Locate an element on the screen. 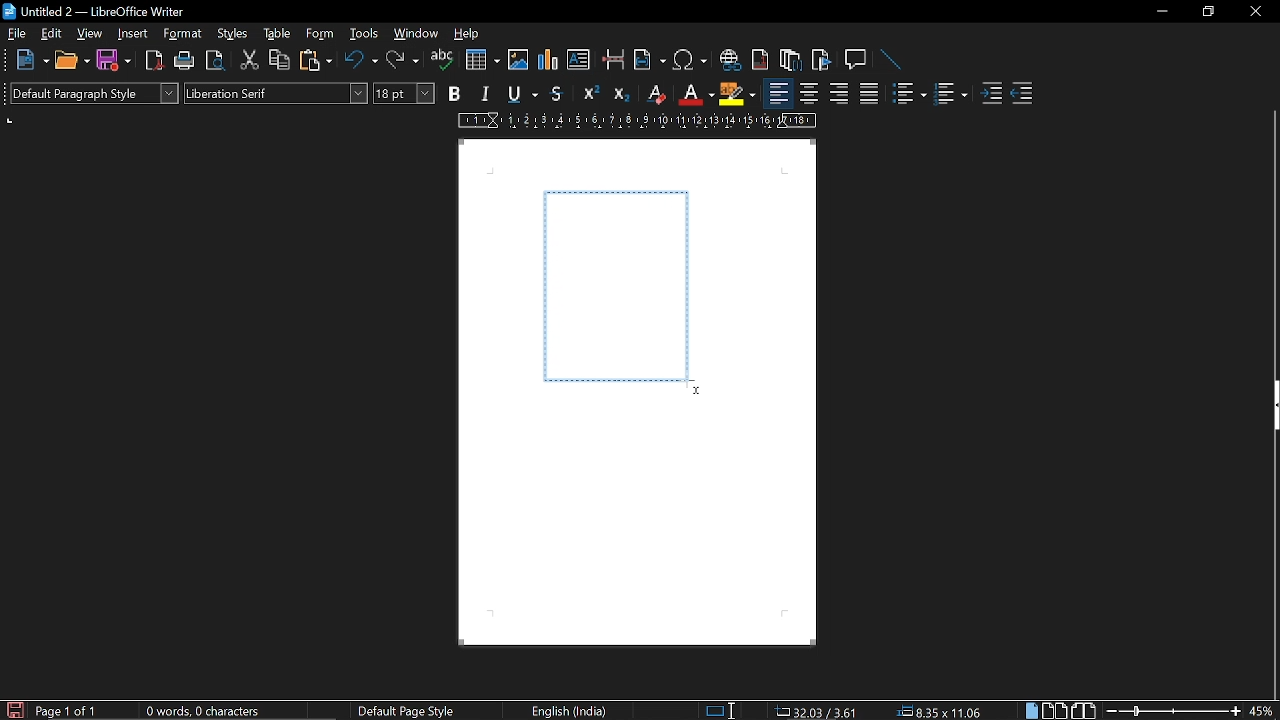  4.99/3.22 is located at coordinates (813, 710).